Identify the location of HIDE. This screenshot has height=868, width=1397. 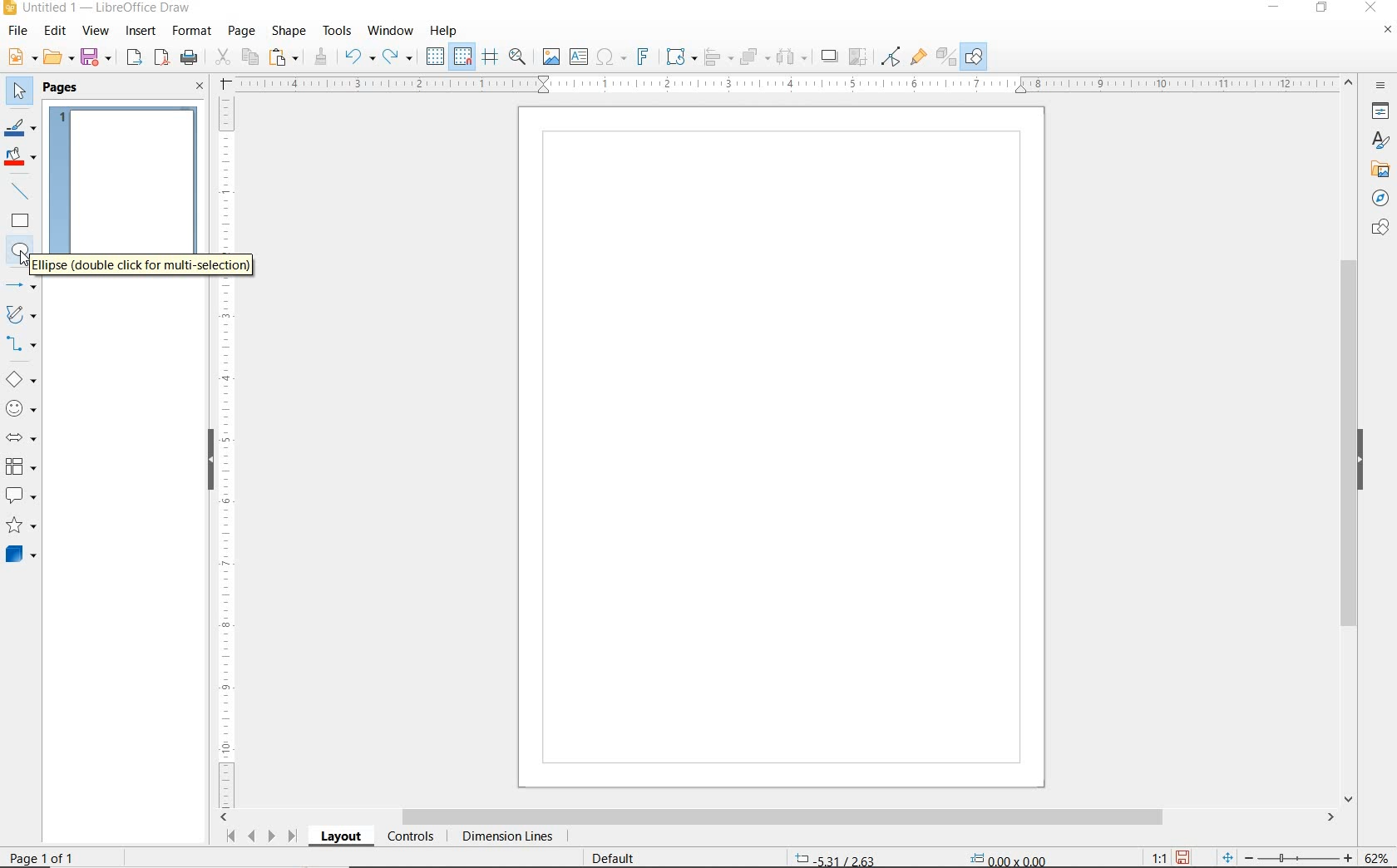
(1365, 460).